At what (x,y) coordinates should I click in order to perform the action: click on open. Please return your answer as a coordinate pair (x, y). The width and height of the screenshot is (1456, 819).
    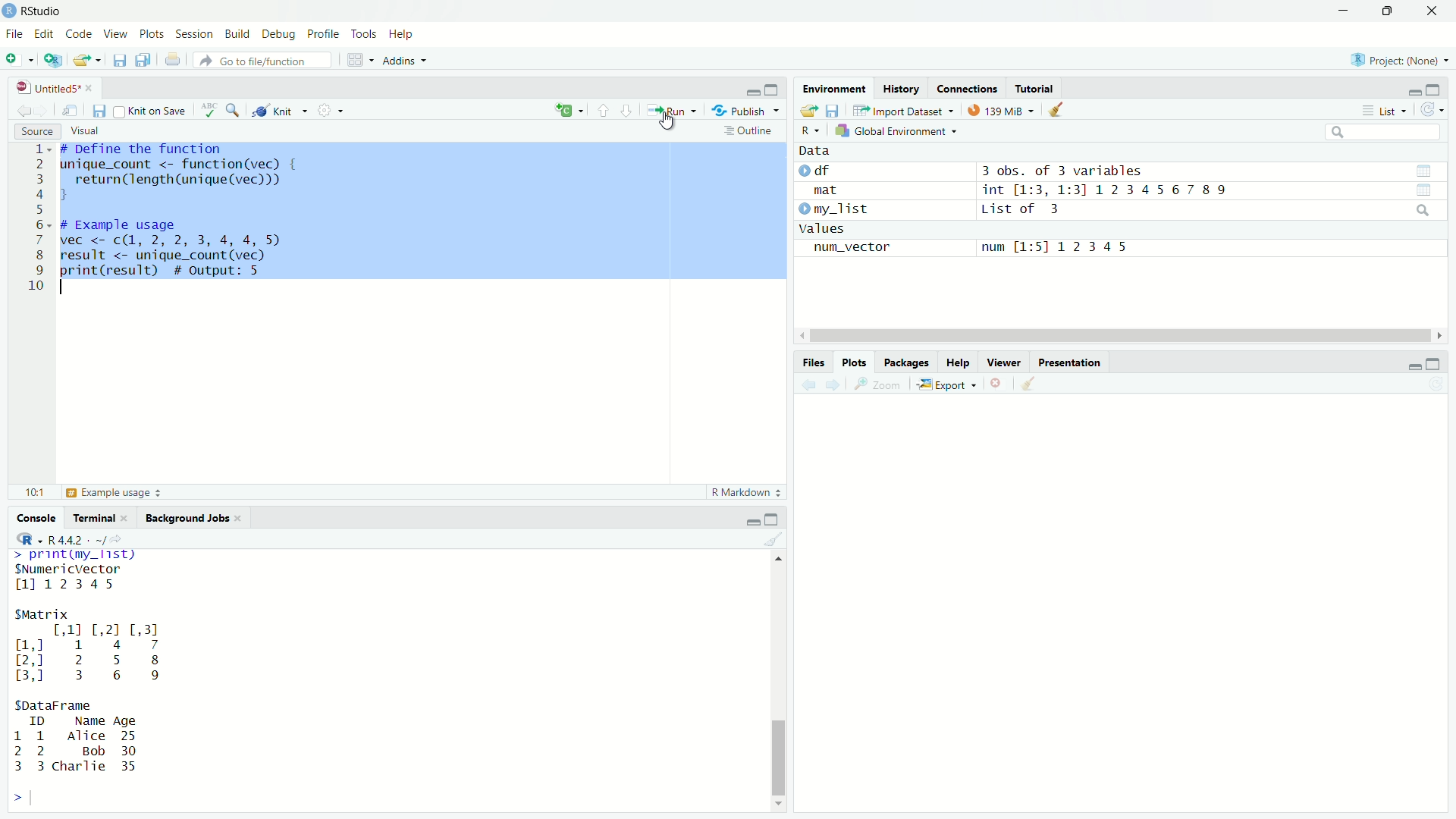
    Looking at the image, I should click on (807, 110).